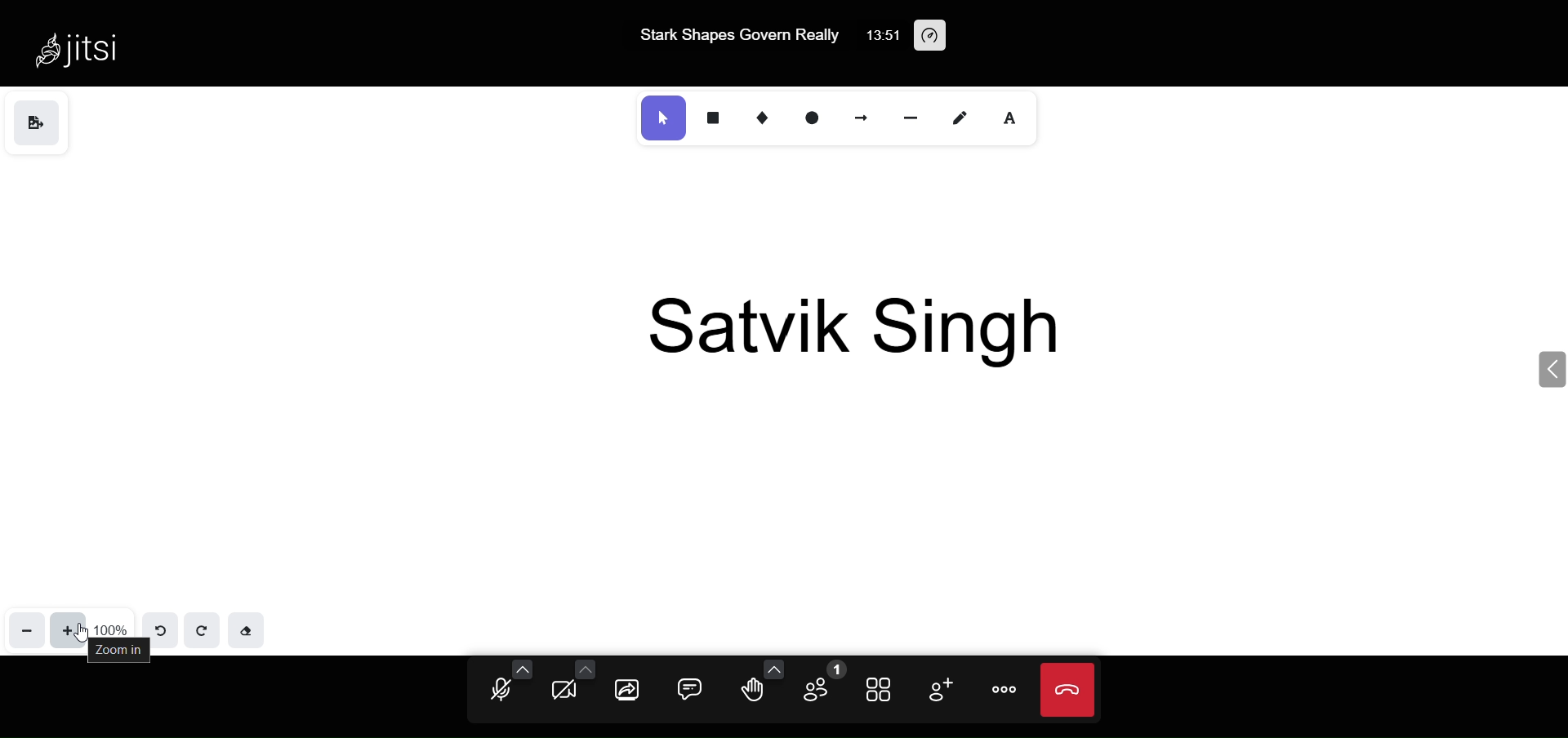 This screenshot has width=1568, height=738. I want to click on performance setting, so click(933, 38).